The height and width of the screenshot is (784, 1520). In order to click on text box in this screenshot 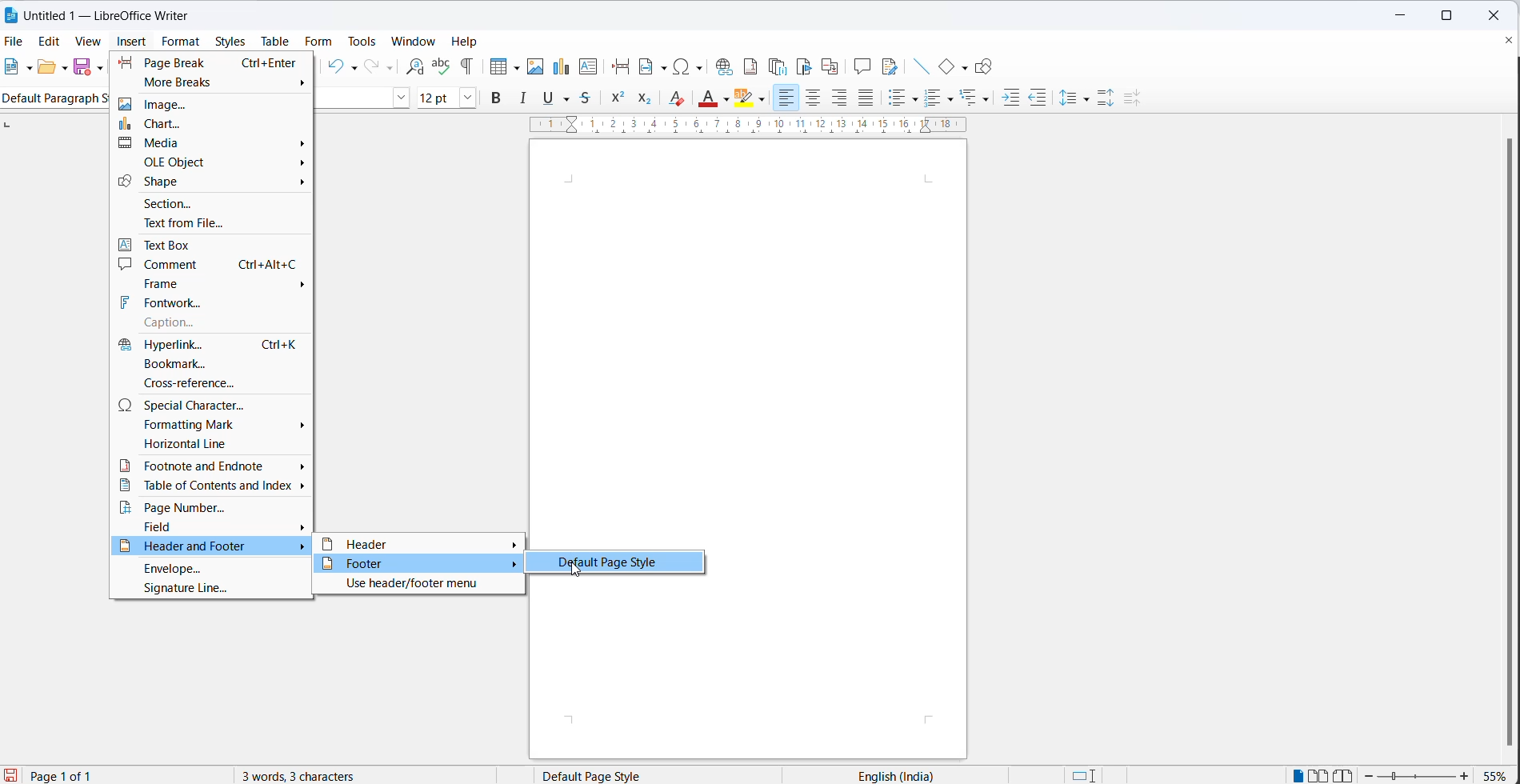, I will do `click(208, 246)`.